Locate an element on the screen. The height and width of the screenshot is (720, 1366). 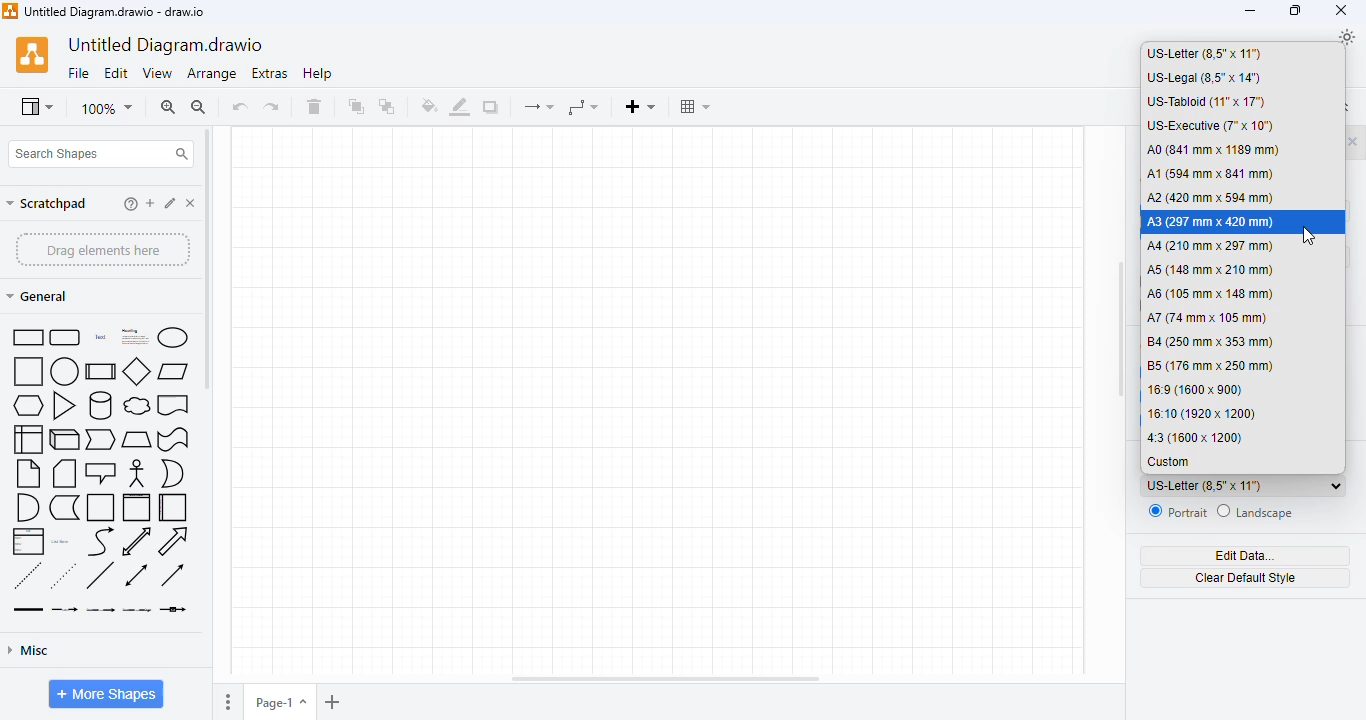
connector with label is located at coordinates (64, 610).